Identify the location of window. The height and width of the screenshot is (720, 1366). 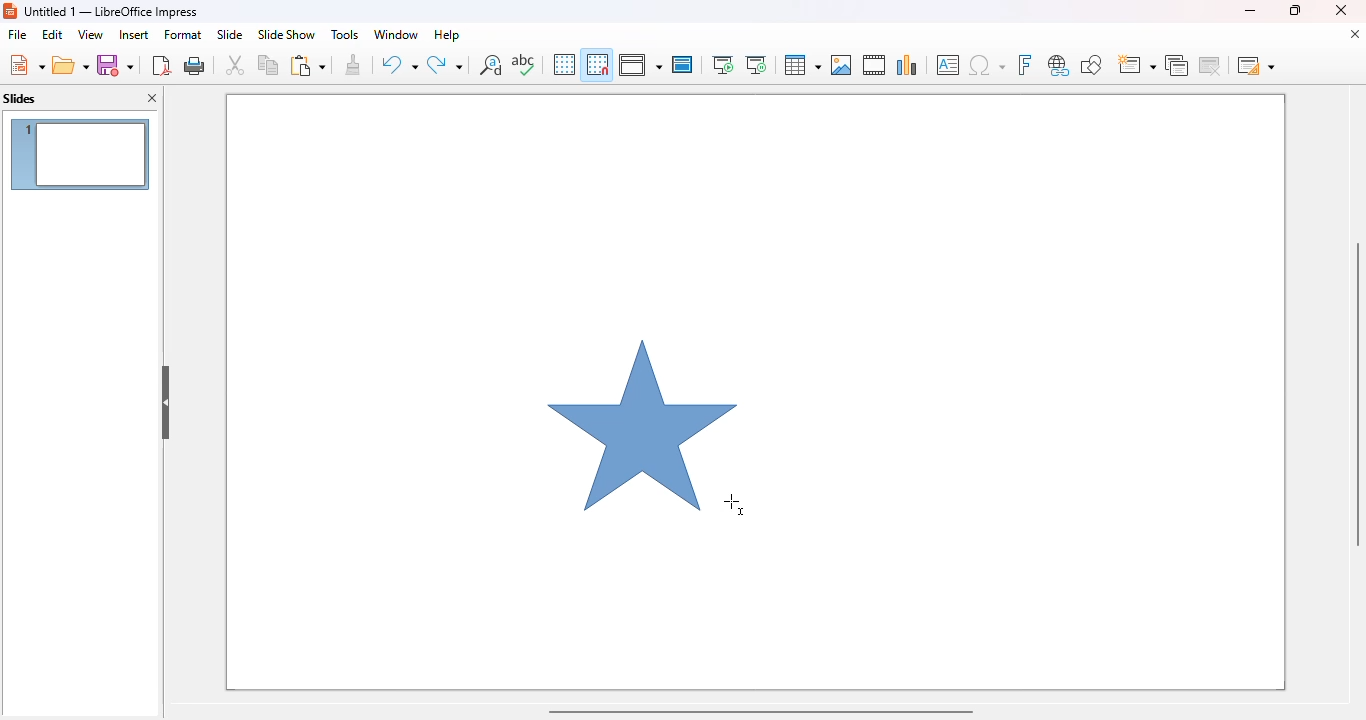
(395, 34).